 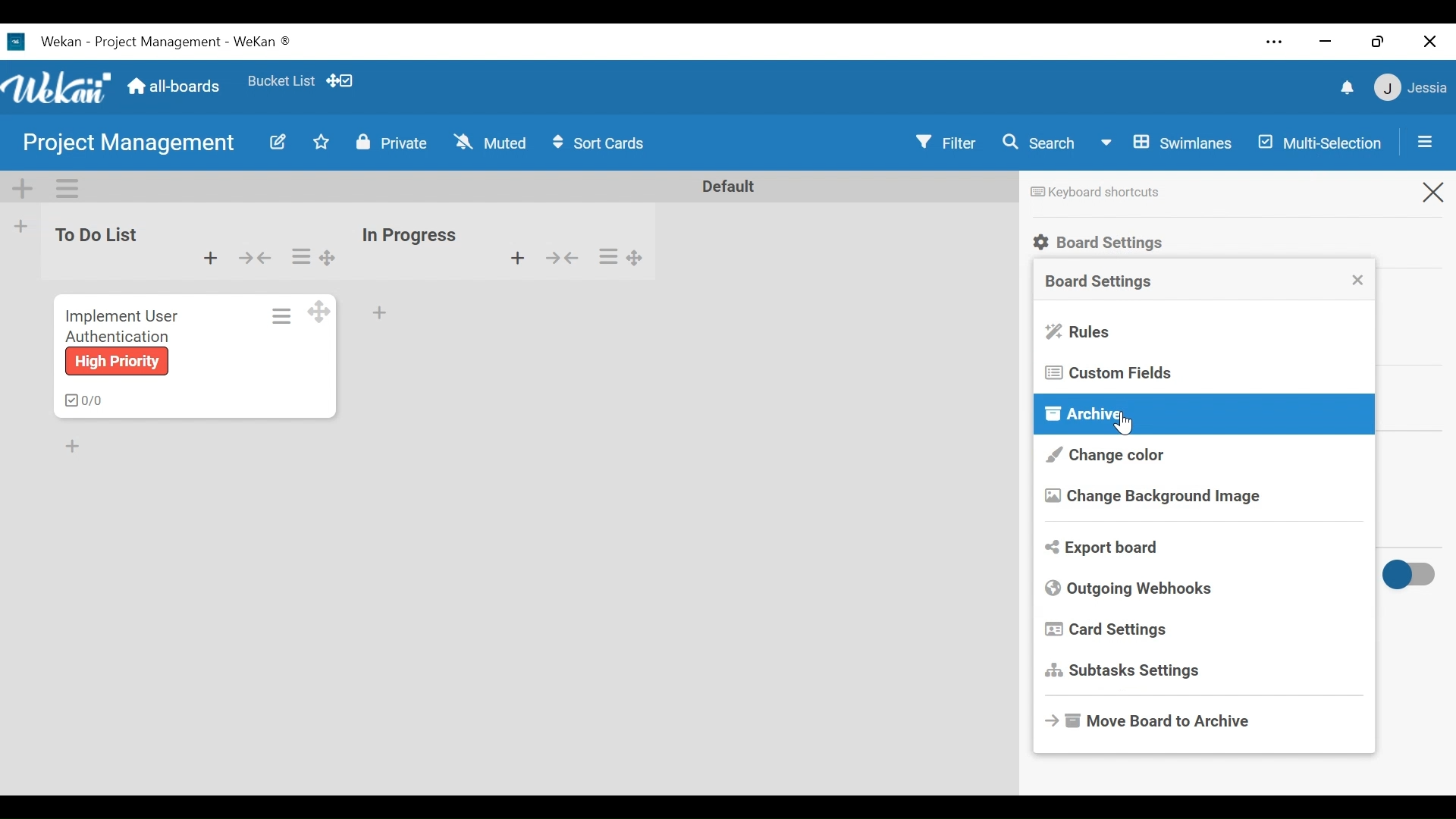 What do you see at coordinates (1132, 588) in the screenshot?
I see `Outgoing Webhooks` at bounding box center [1132, 588].